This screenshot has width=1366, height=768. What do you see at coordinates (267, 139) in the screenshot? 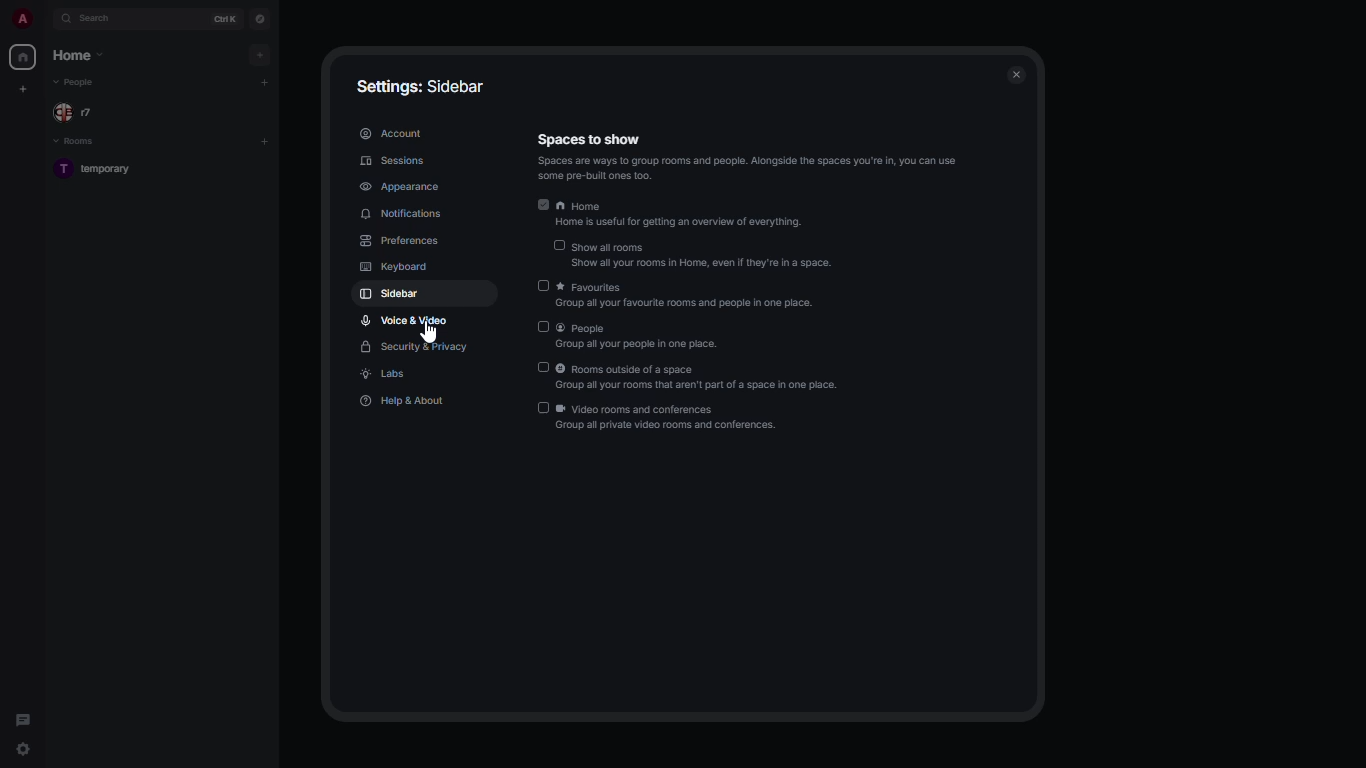
I see `add` at bounding box center [267, 139].